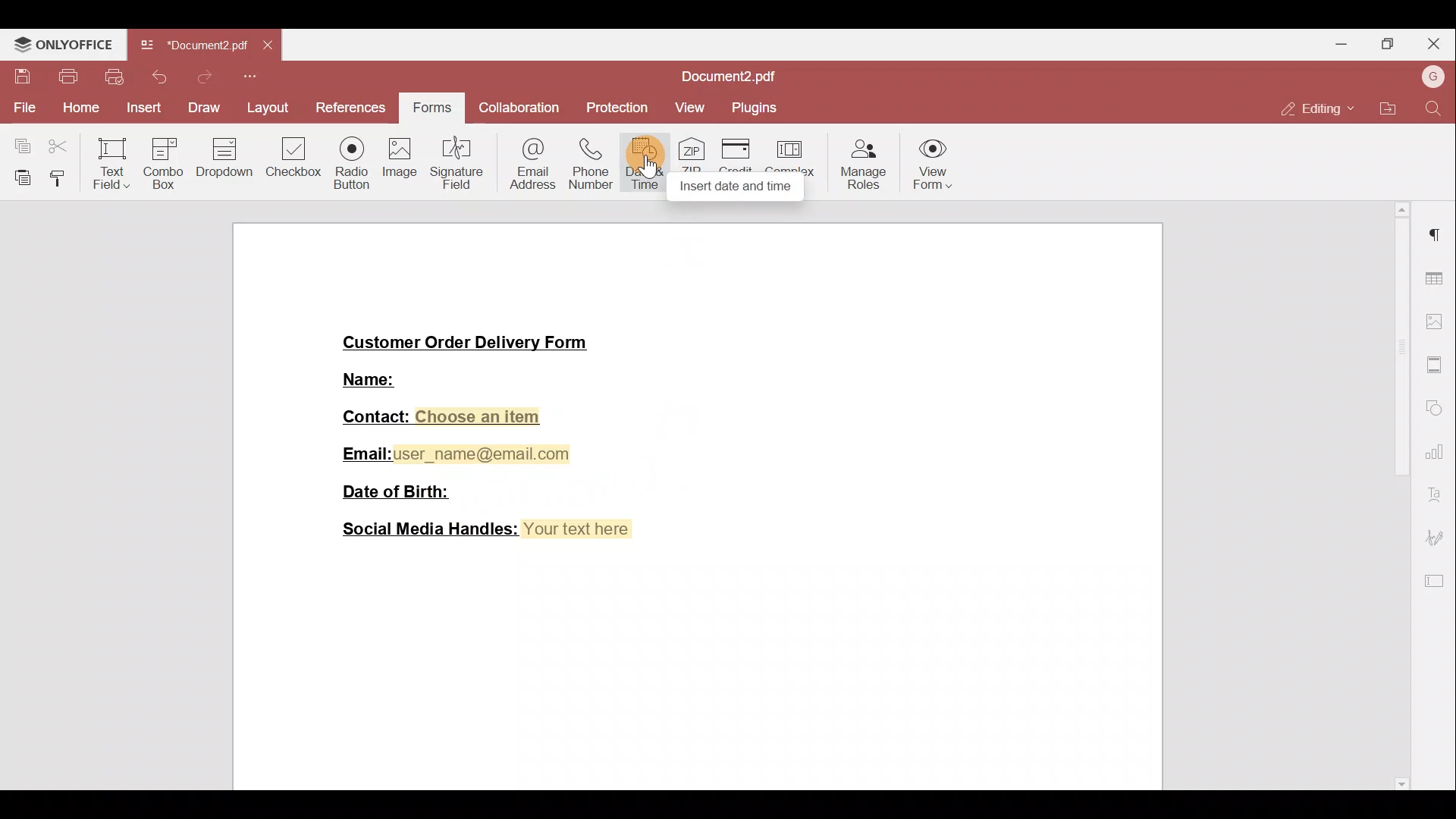 The height and width of the screenshot is (819, 1456). What do you see at coordinates (1436, 365) in the screenshot?
I see `More settings` at bounding box center [1436, 365].